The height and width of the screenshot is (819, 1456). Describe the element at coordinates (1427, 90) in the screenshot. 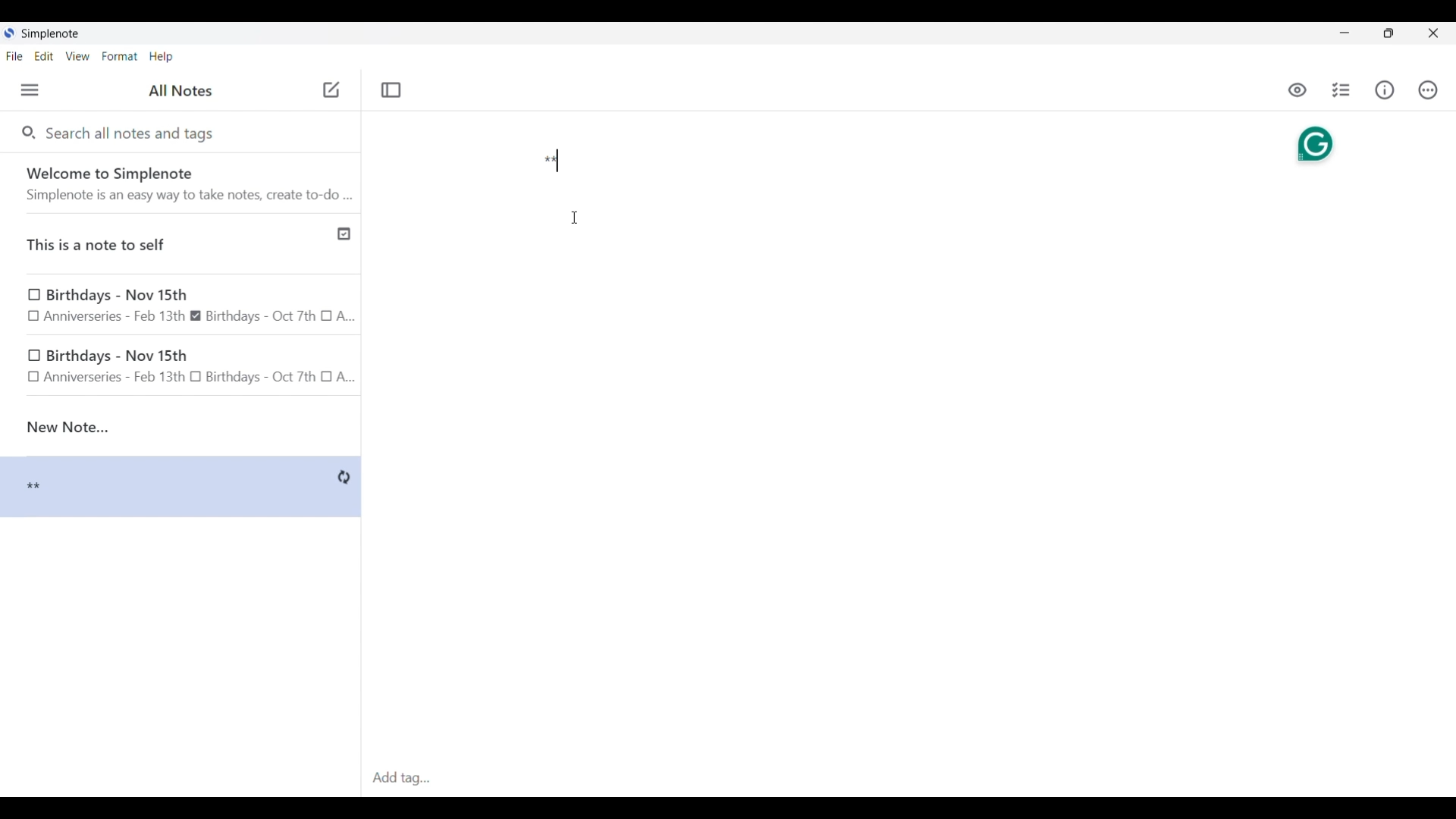

I see `Actions` at that location.